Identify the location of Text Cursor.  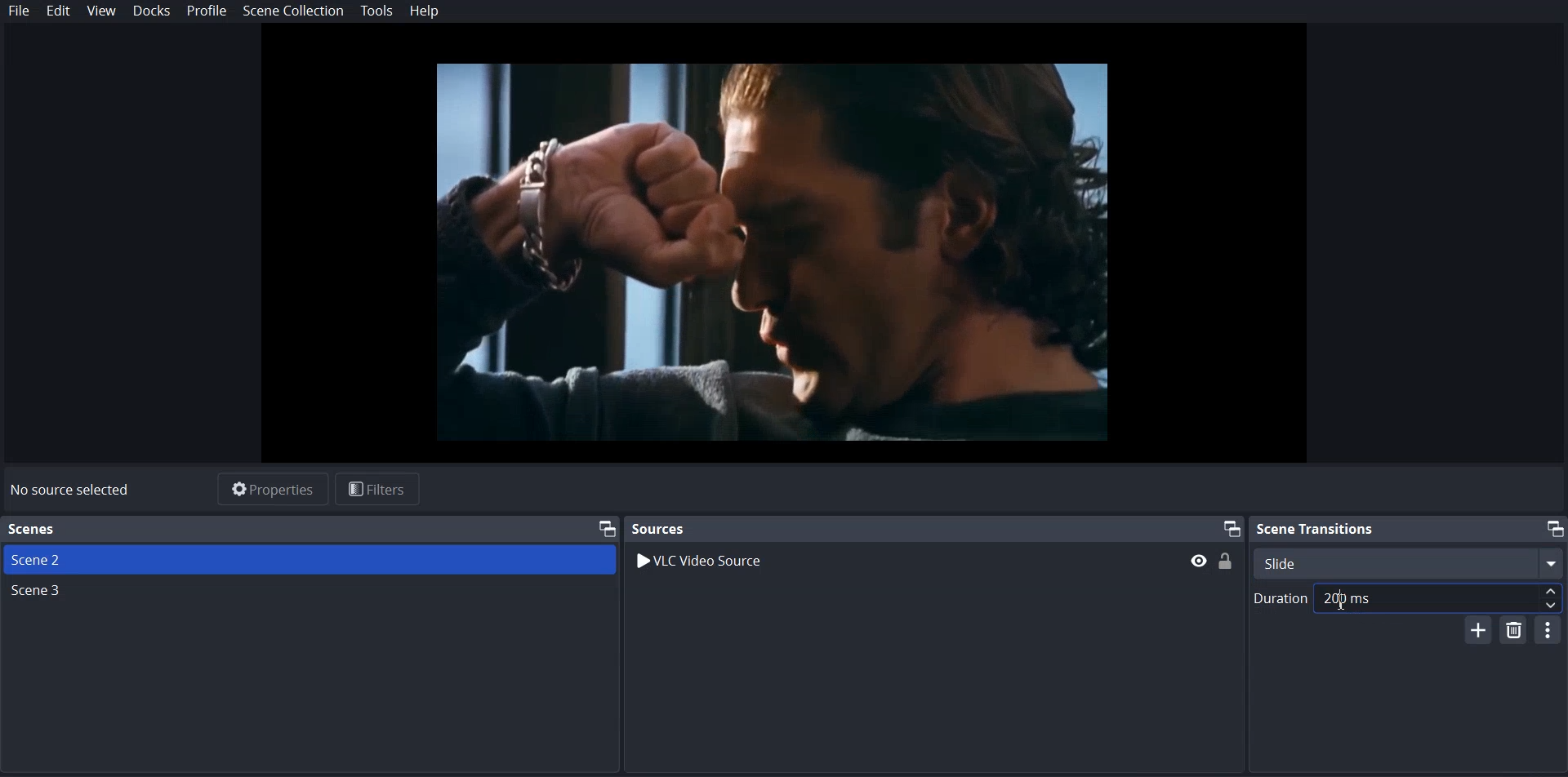
(1342, 598).